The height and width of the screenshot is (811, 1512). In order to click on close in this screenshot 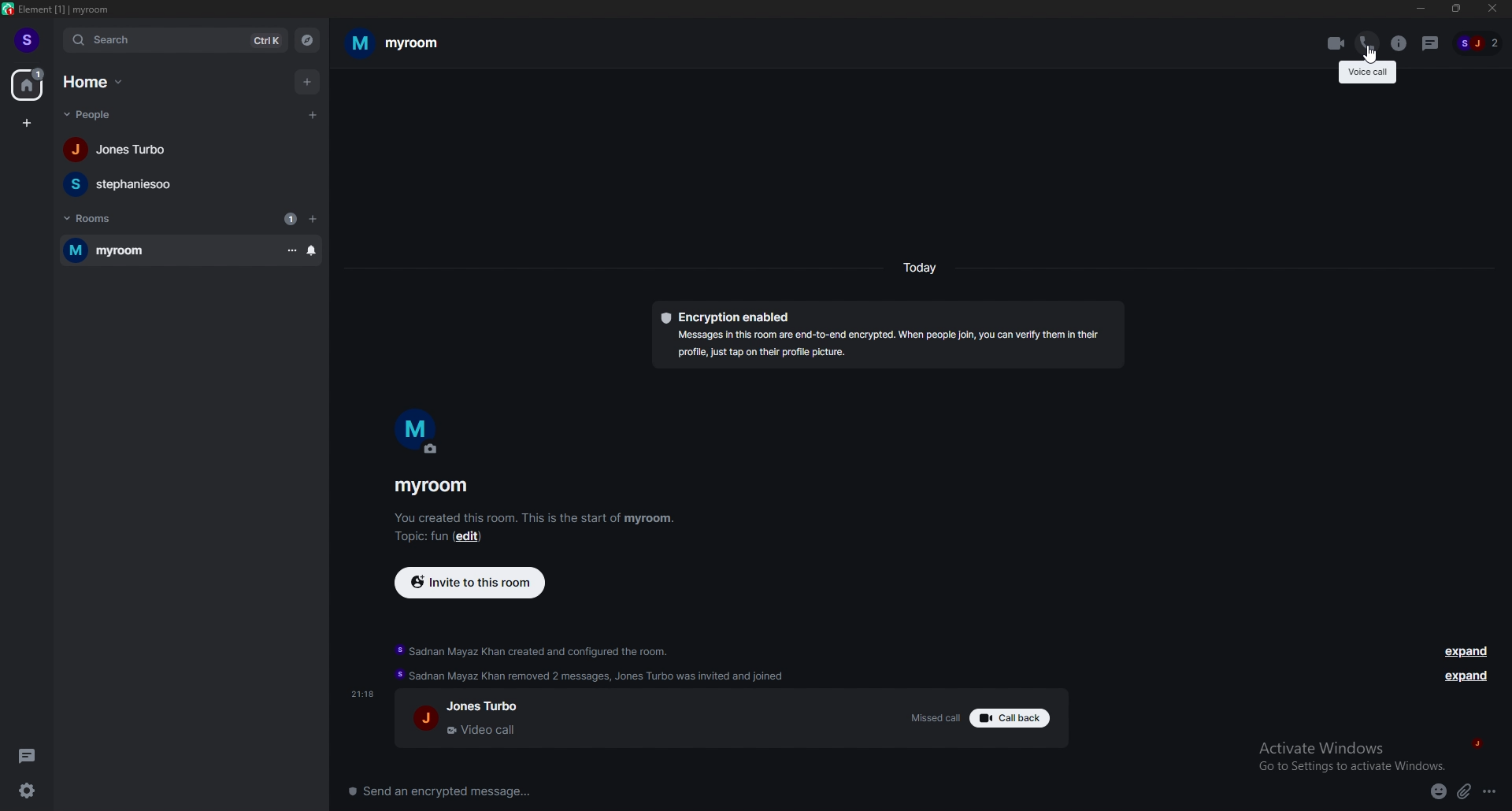, I will do `click(1490, 9)`.